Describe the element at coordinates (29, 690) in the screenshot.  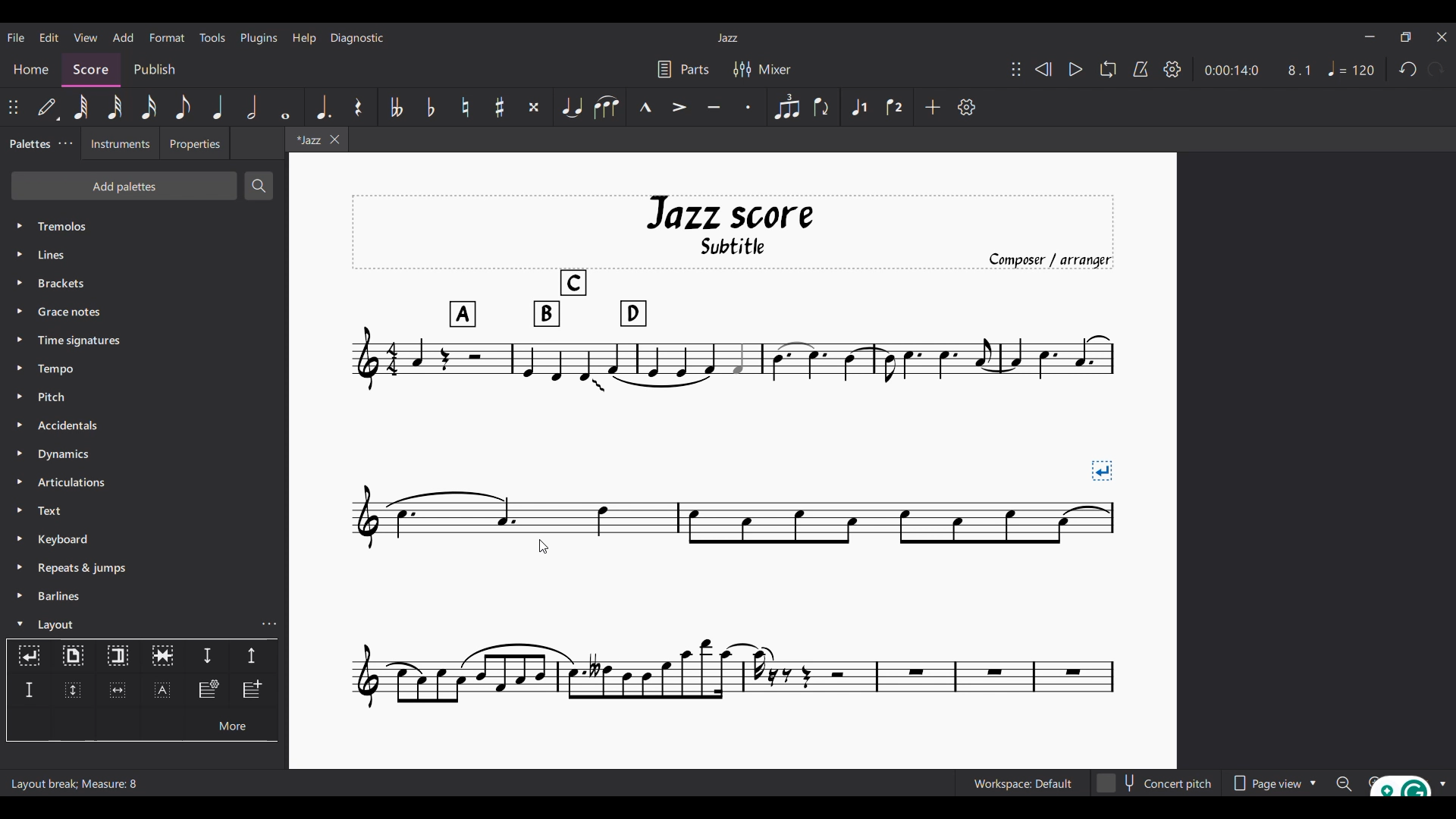
I see `Staff spacer fixed down` at that location.